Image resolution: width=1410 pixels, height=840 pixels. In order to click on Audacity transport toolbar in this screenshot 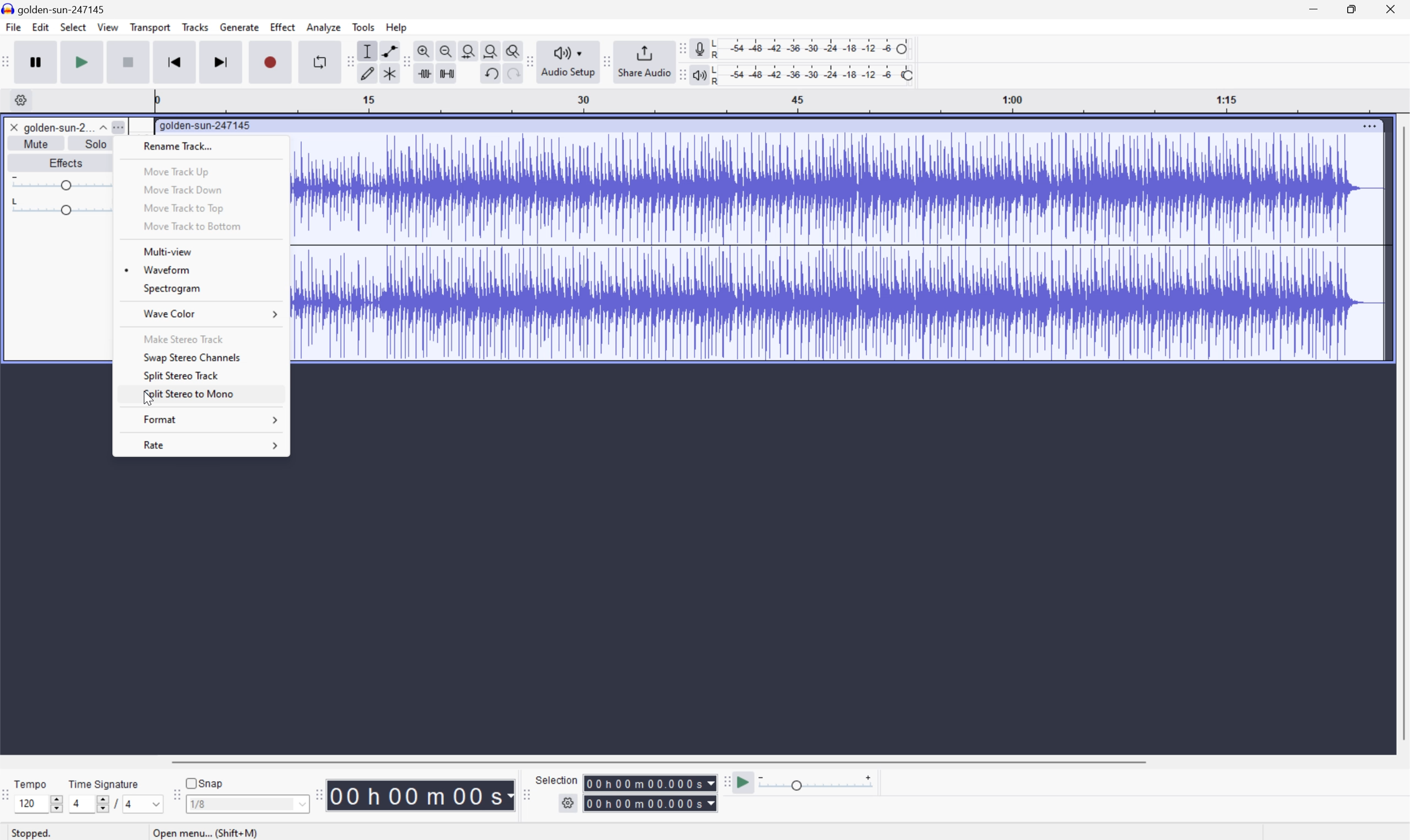, I will do `click(10, 63)`.